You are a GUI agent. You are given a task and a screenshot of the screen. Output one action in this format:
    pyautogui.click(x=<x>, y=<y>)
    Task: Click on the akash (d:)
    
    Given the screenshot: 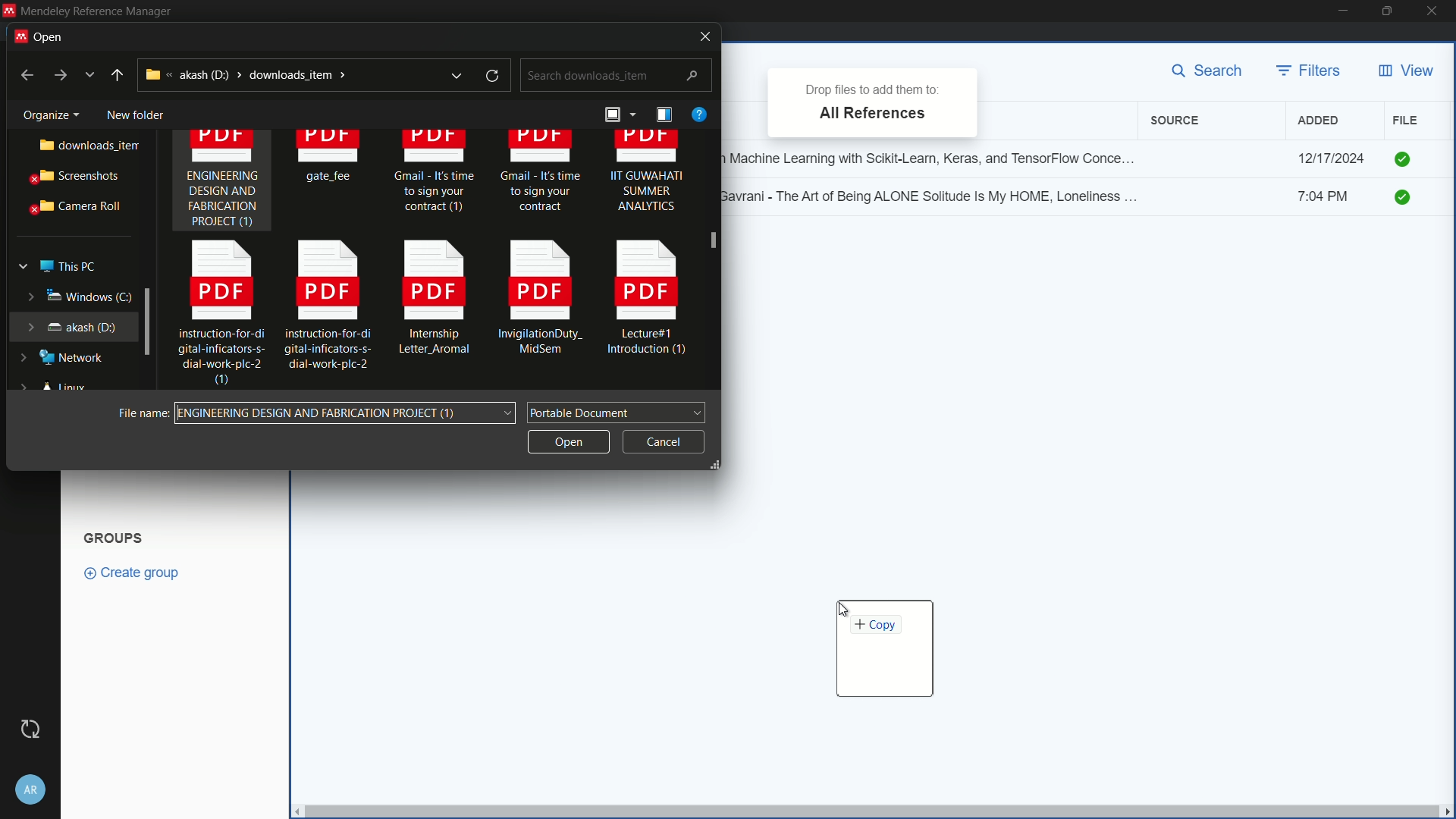 What is the action you would take?
    pyautogui.click(x=71, y=325)
    